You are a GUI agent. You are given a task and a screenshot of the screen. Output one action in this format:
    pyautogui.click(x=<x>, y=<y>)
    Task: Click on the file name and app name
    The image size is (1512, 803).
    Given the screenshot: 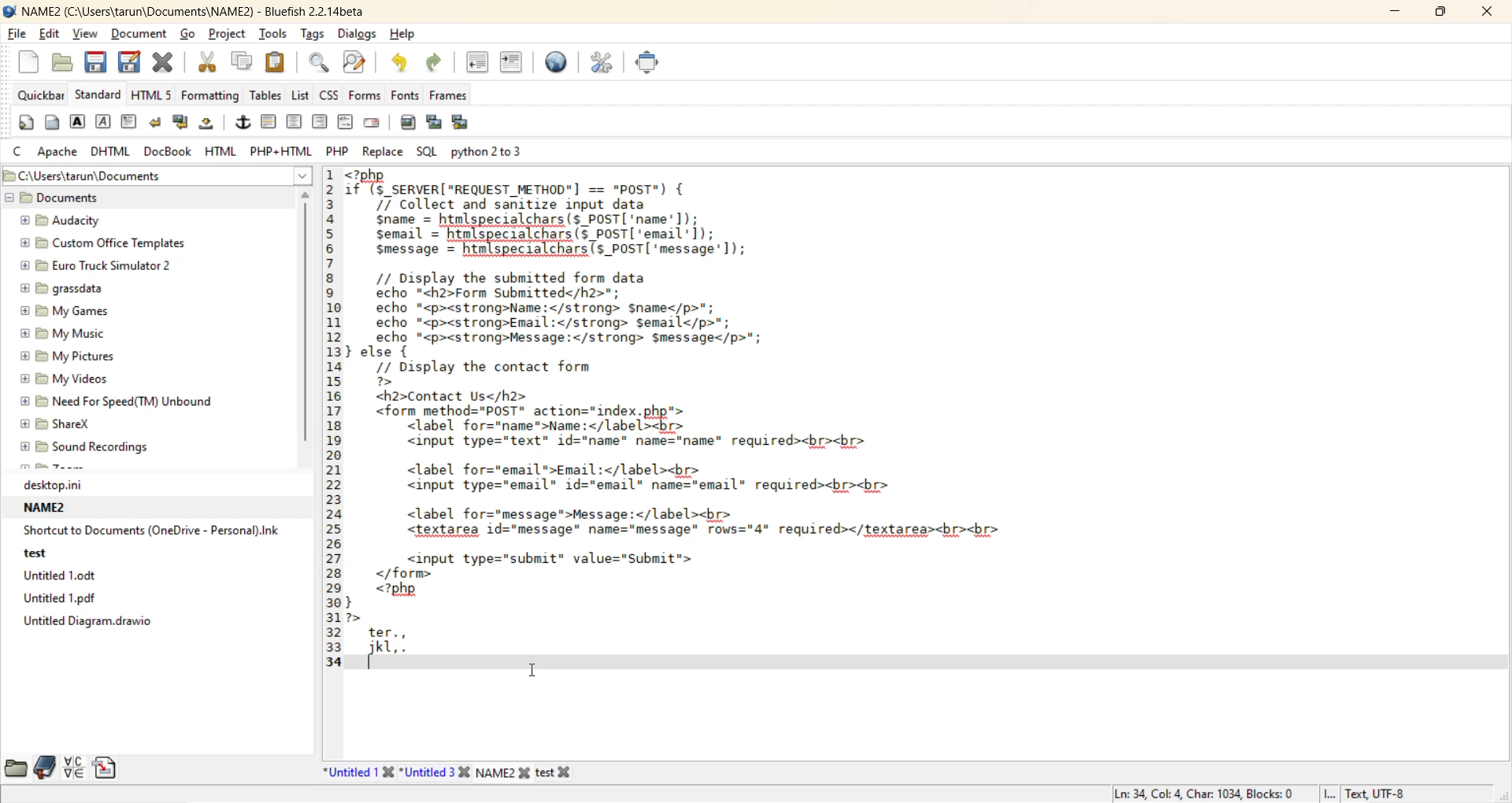 What is the action you would take?
    pyautogui.click(x=197, y=12)
    